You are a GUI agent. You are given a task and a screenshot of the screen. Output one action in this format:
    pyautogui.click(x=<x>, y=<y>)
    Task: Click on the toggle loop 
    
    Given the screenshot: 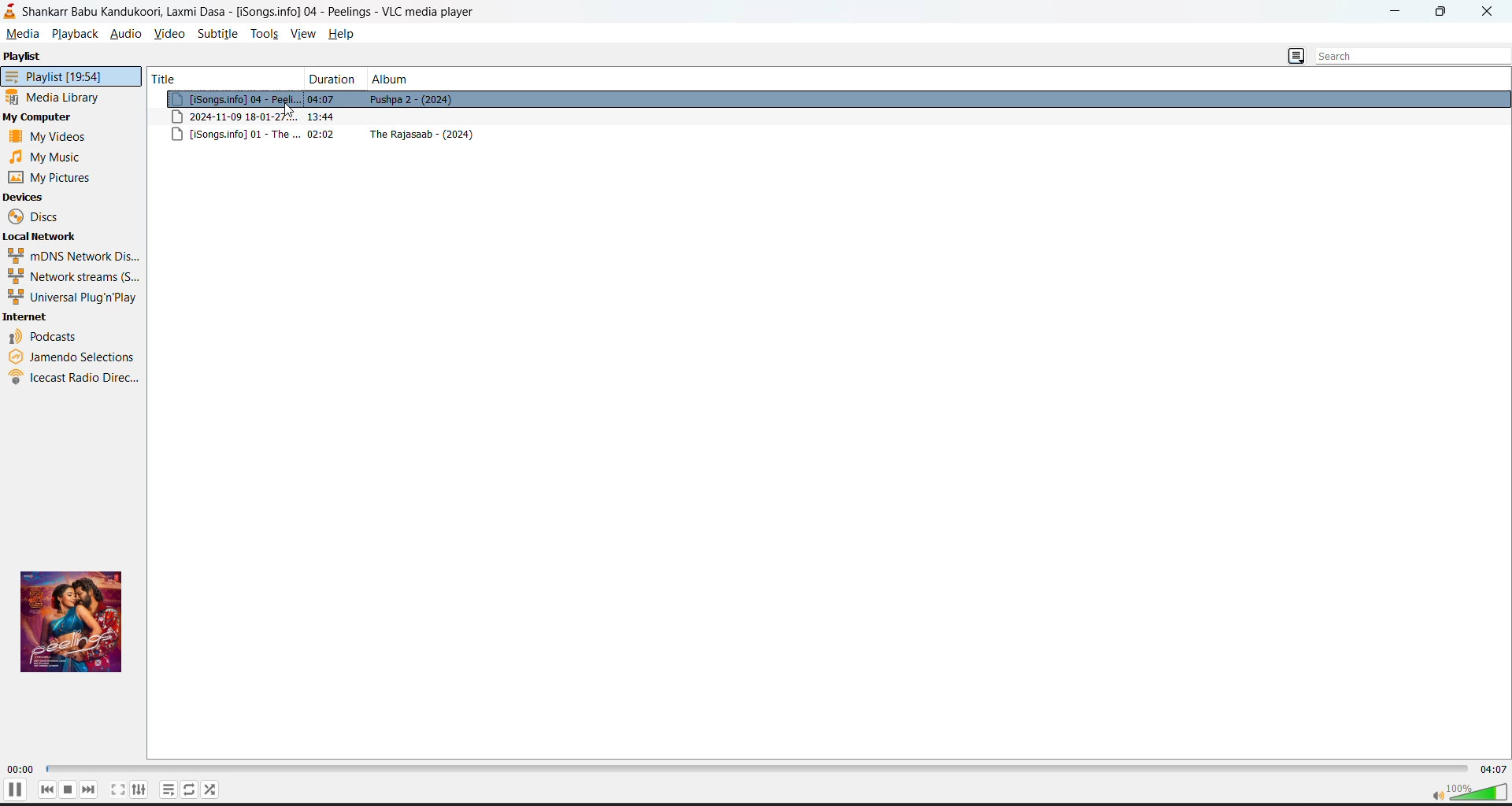 What is the action you would take?
    pyautogui.click(x=191, y=790)
    